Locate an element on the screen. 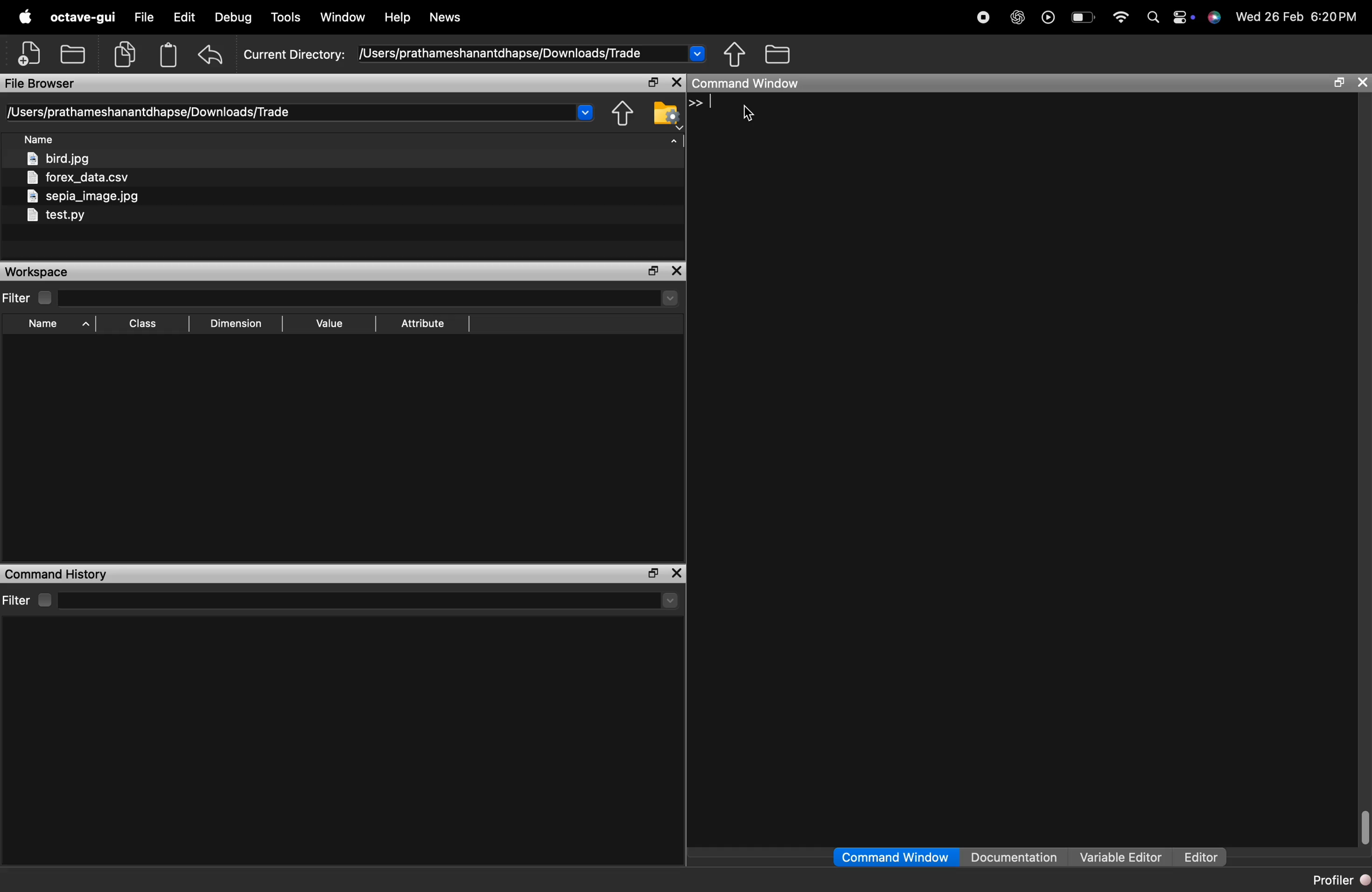 Image resolution: width=1372 pixels, height=892 pixels. Filter is located at coordinates (29, 298).